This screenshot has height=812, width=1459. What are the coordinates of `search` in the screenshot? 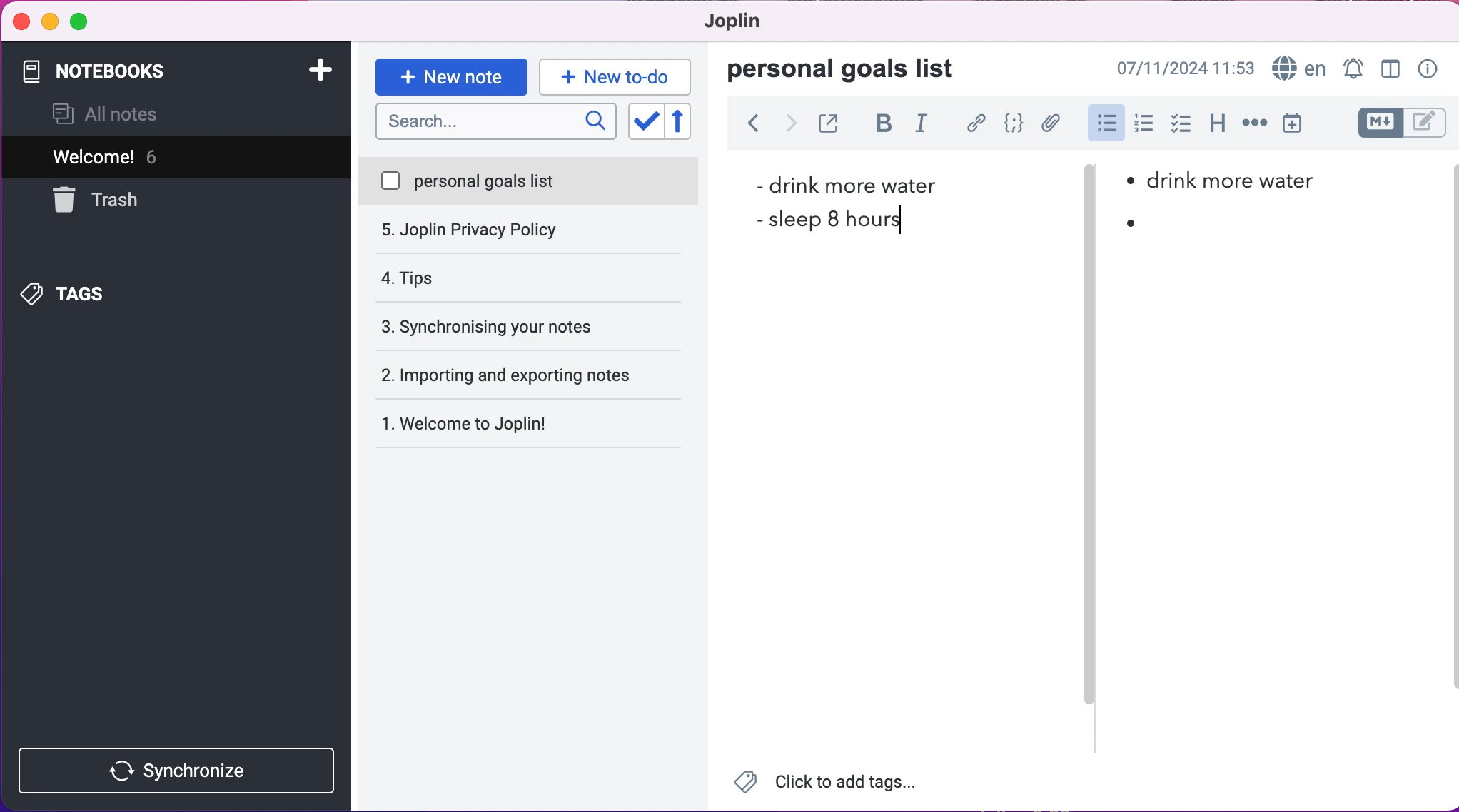 It's located at (494, 123).